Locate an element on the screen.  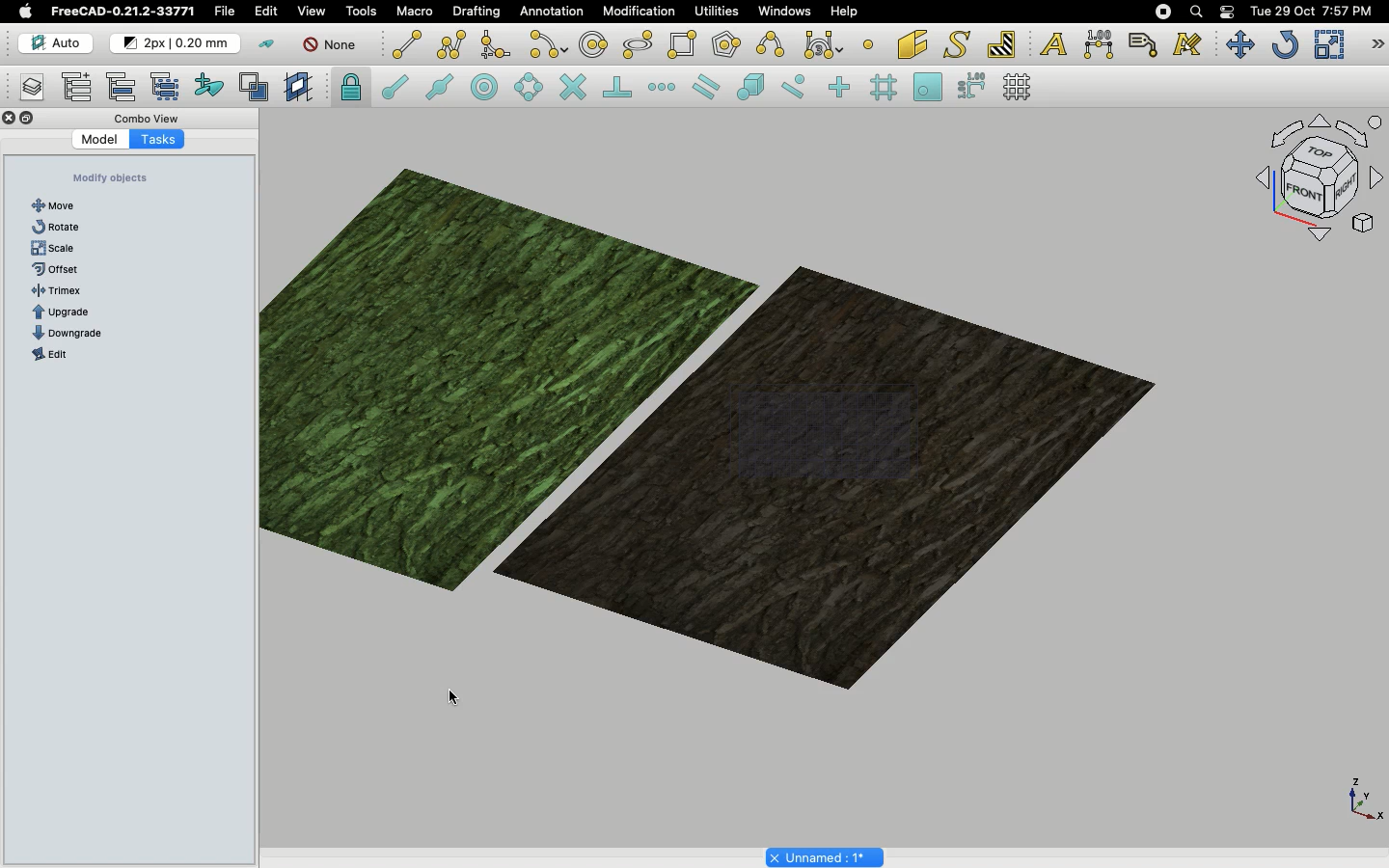
Rotate is located at coordinates (58, 227).